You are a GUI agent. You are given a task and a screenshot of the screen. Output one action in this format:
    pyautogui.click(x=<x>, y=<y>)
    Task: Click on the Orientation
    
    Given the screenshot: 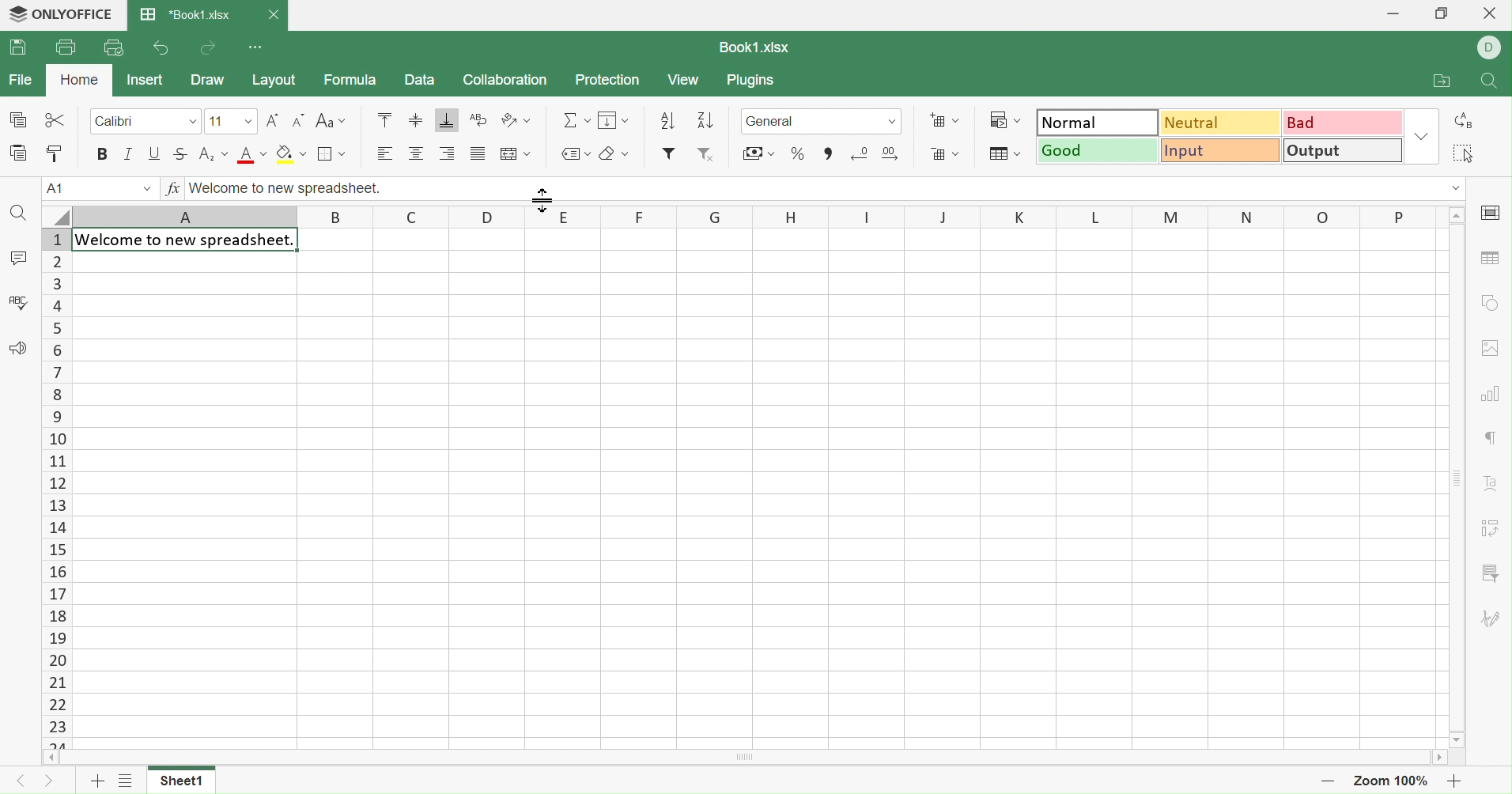 What is the action you would take?
    pyautogui.click(x=517, y=120)
    